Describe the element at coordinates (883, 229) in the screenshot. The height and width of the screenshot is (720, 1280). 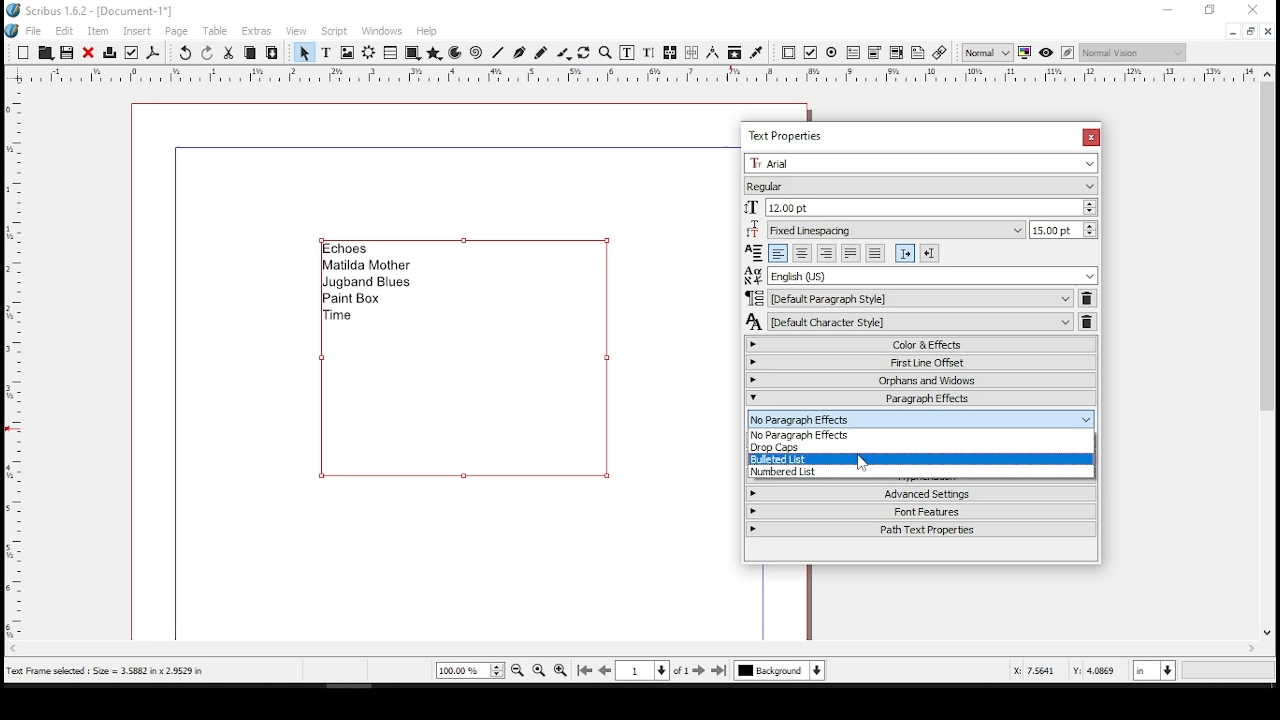
I see `line spacing mode` at that location.